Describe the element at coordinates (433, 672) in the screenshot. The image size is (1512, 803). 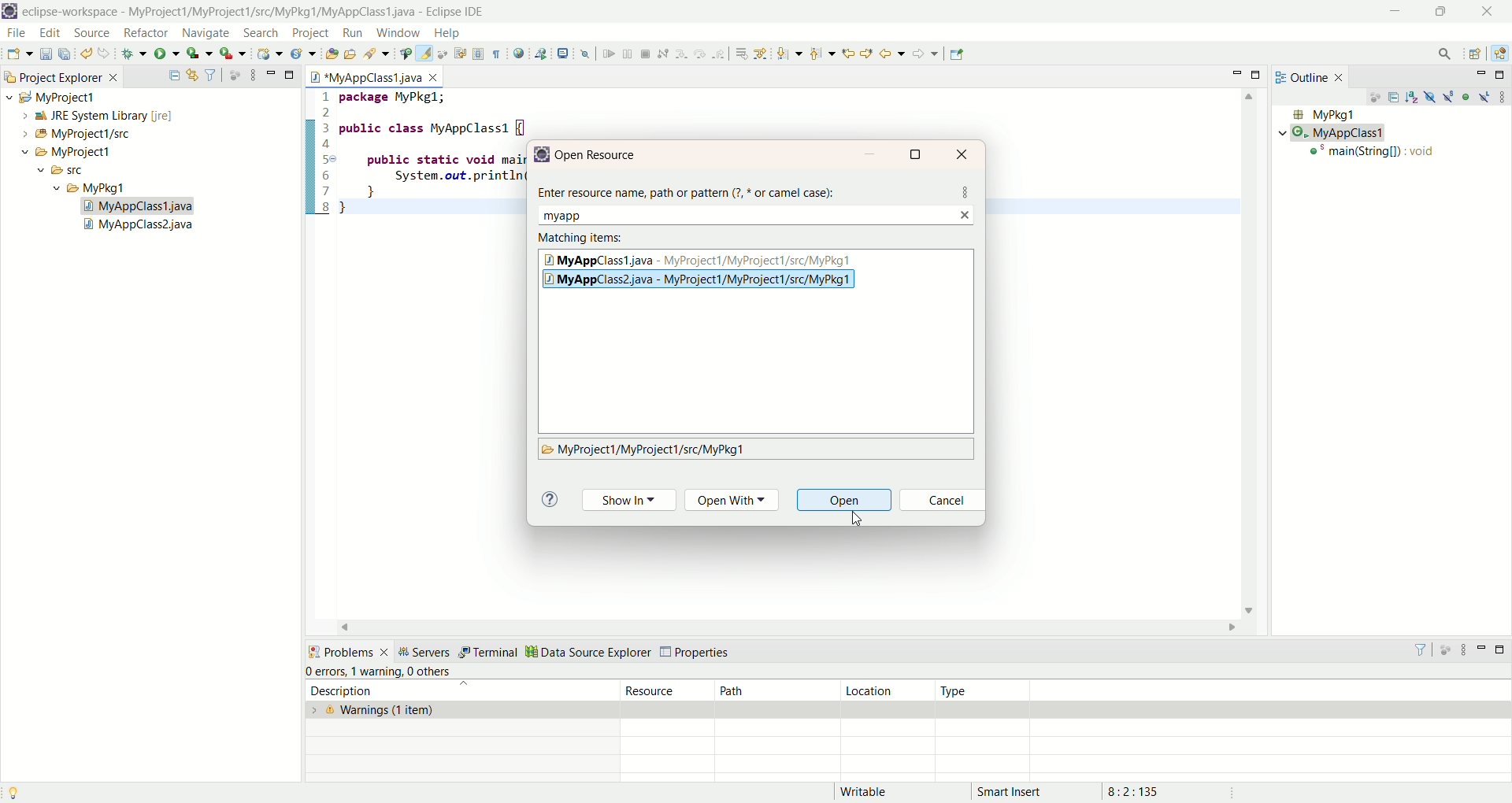
I see `others` at that location.